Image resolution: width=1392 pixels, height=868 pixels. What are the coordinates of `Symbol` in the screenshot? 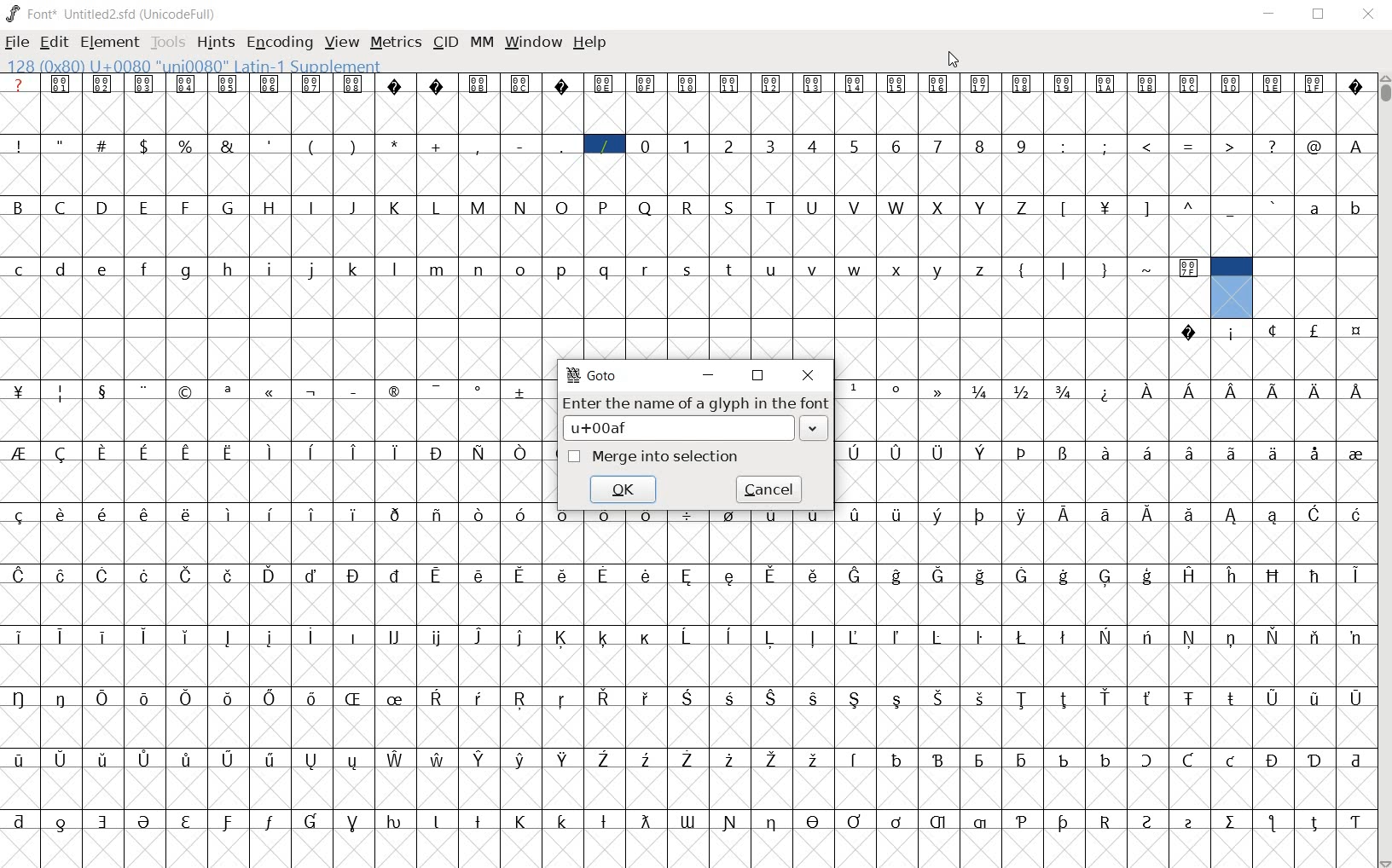 It's located at (1190, 451).